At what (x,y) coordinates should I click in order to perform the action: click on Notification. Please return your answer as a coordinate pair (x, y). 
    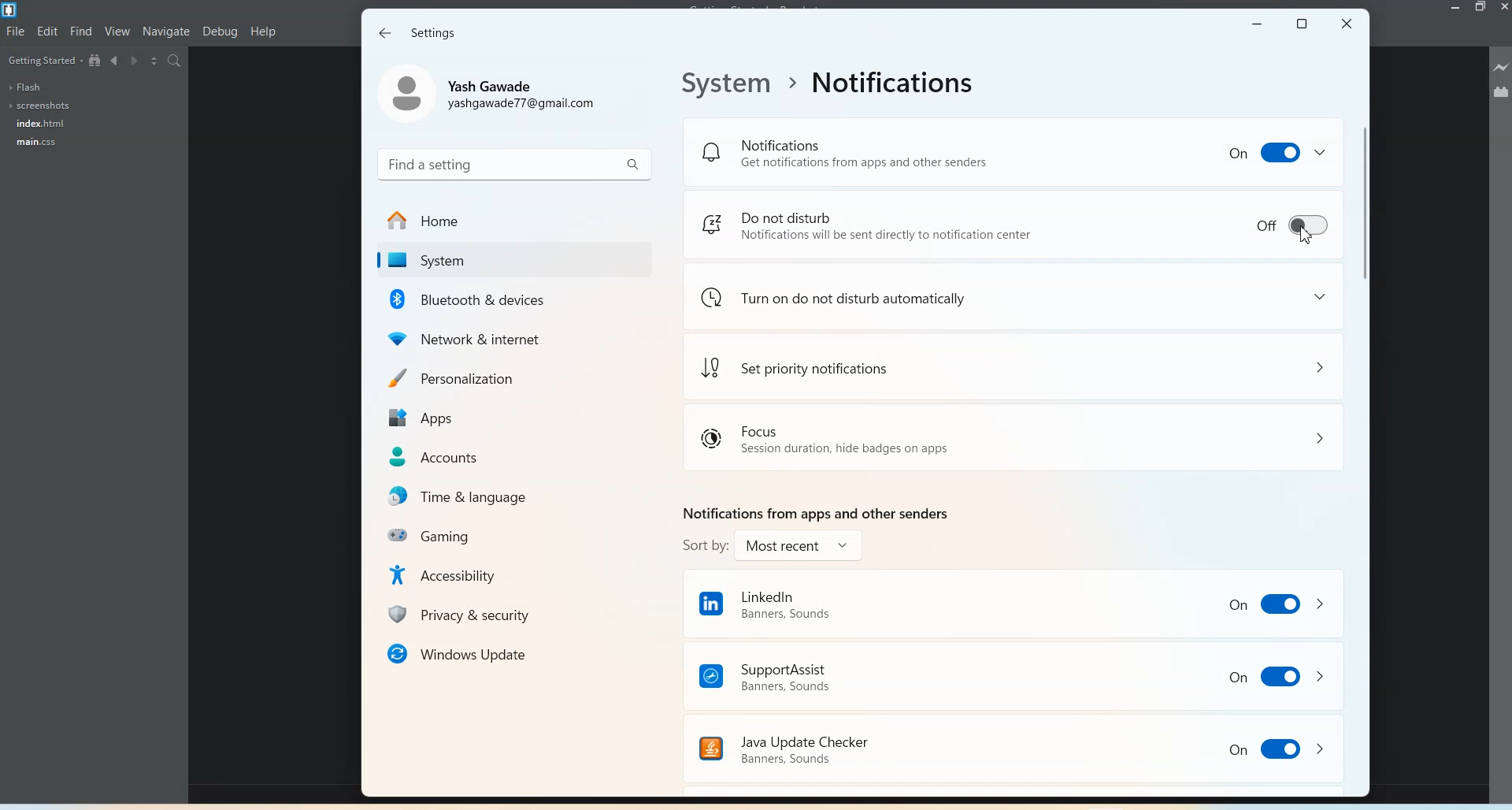
    Looking at the image, I should click on (1013, 150).